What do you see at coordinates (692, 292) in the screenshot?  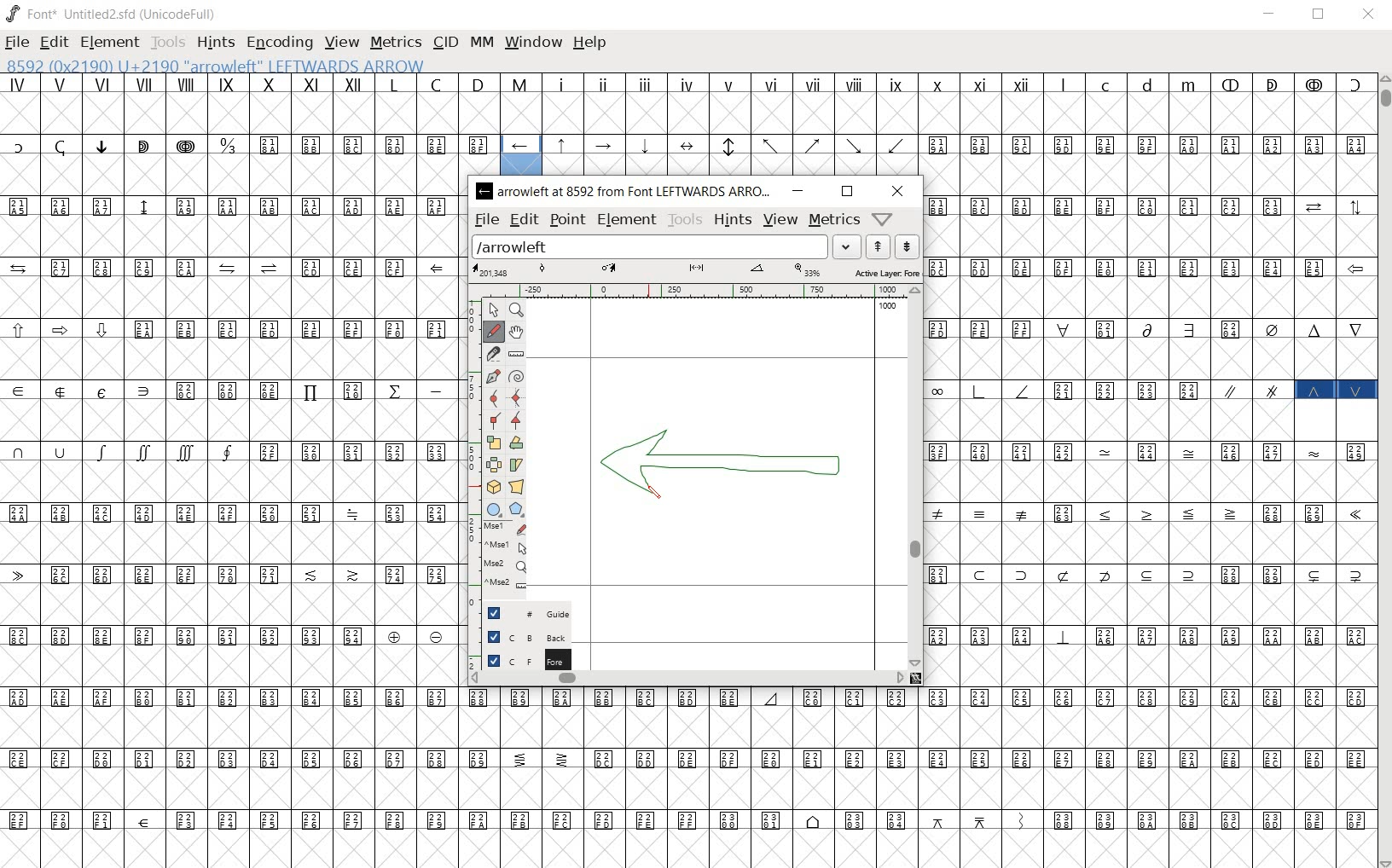 I see `ruler` at bounding box center [692, 292].